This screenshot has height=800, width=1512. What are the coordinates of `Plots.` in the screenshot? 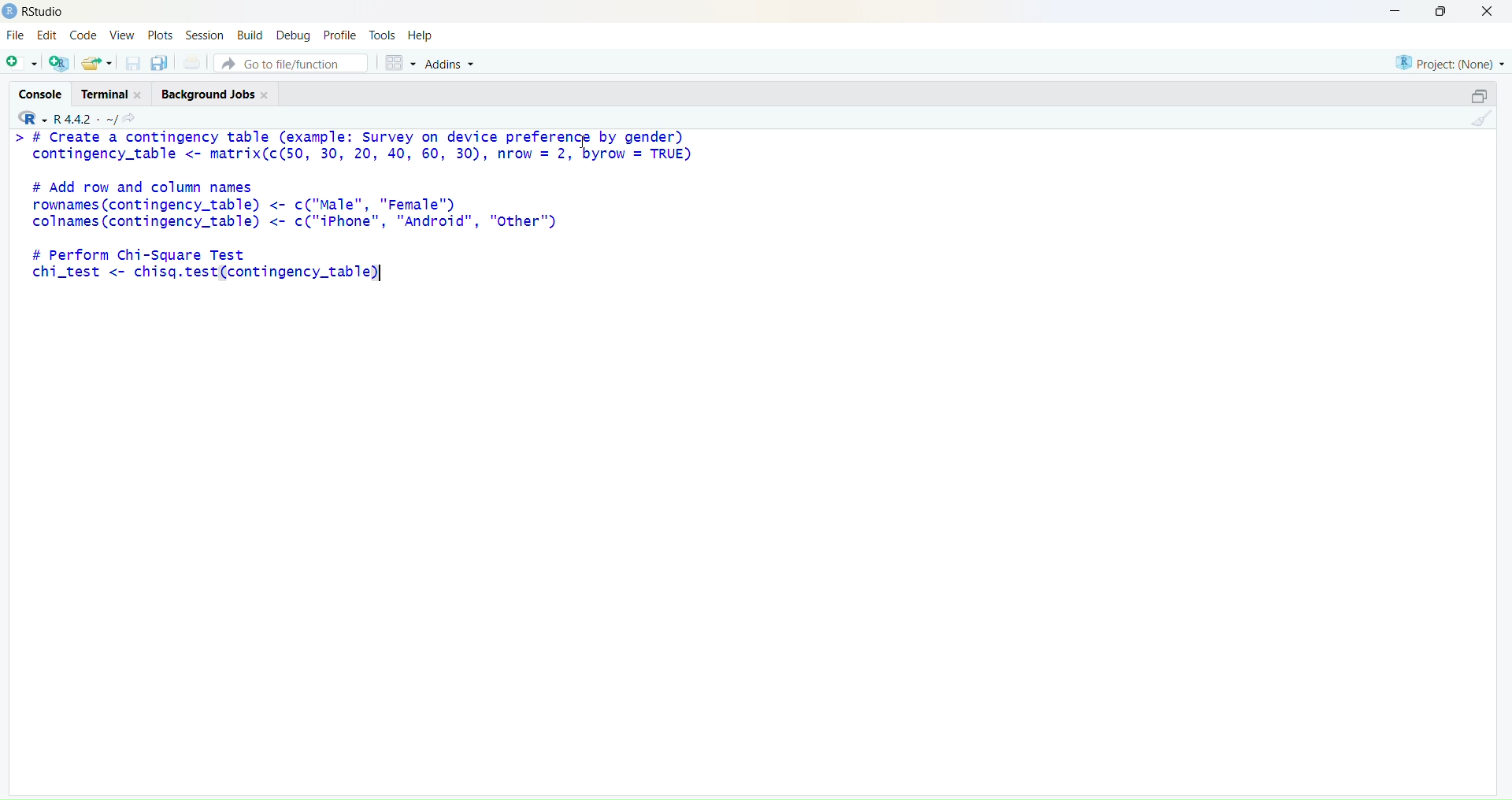 It's located at (161, 35).